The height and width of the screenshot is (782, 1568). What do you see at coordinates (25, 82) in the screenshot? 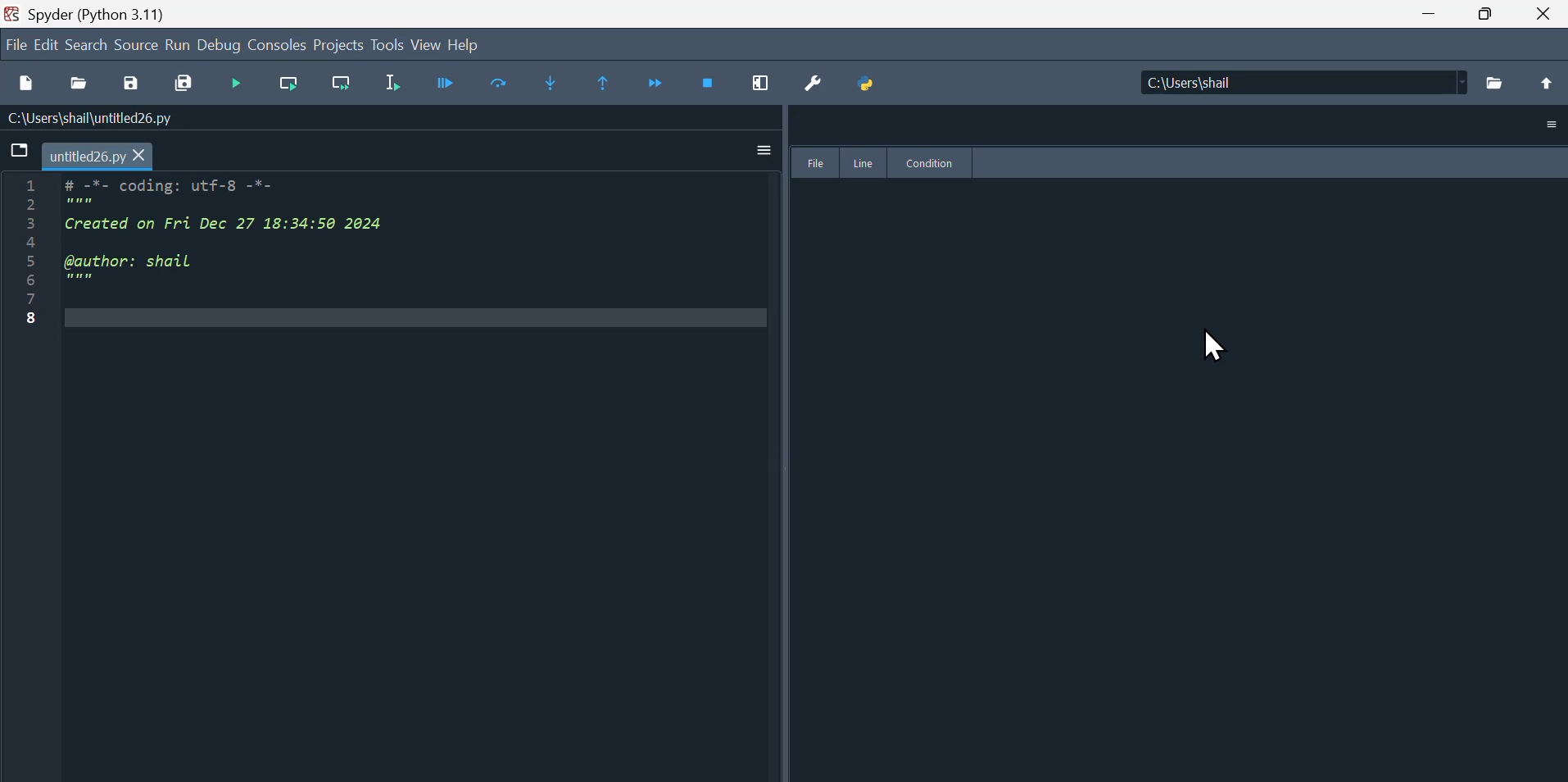
I see `New file` at bounding box center [25, 82].